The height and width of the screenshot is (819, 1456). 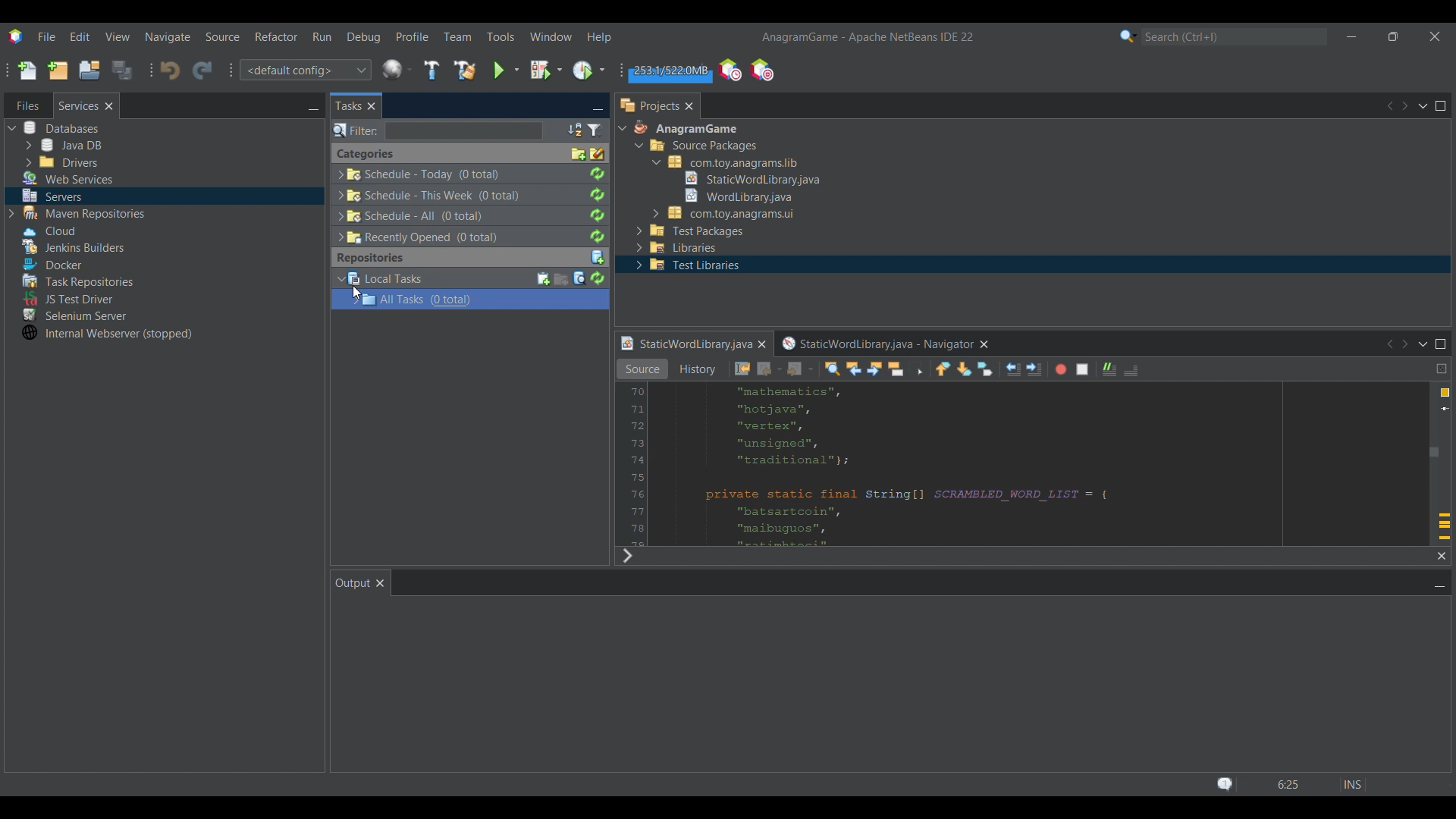 I want to click on , so click(x=975, y=371).